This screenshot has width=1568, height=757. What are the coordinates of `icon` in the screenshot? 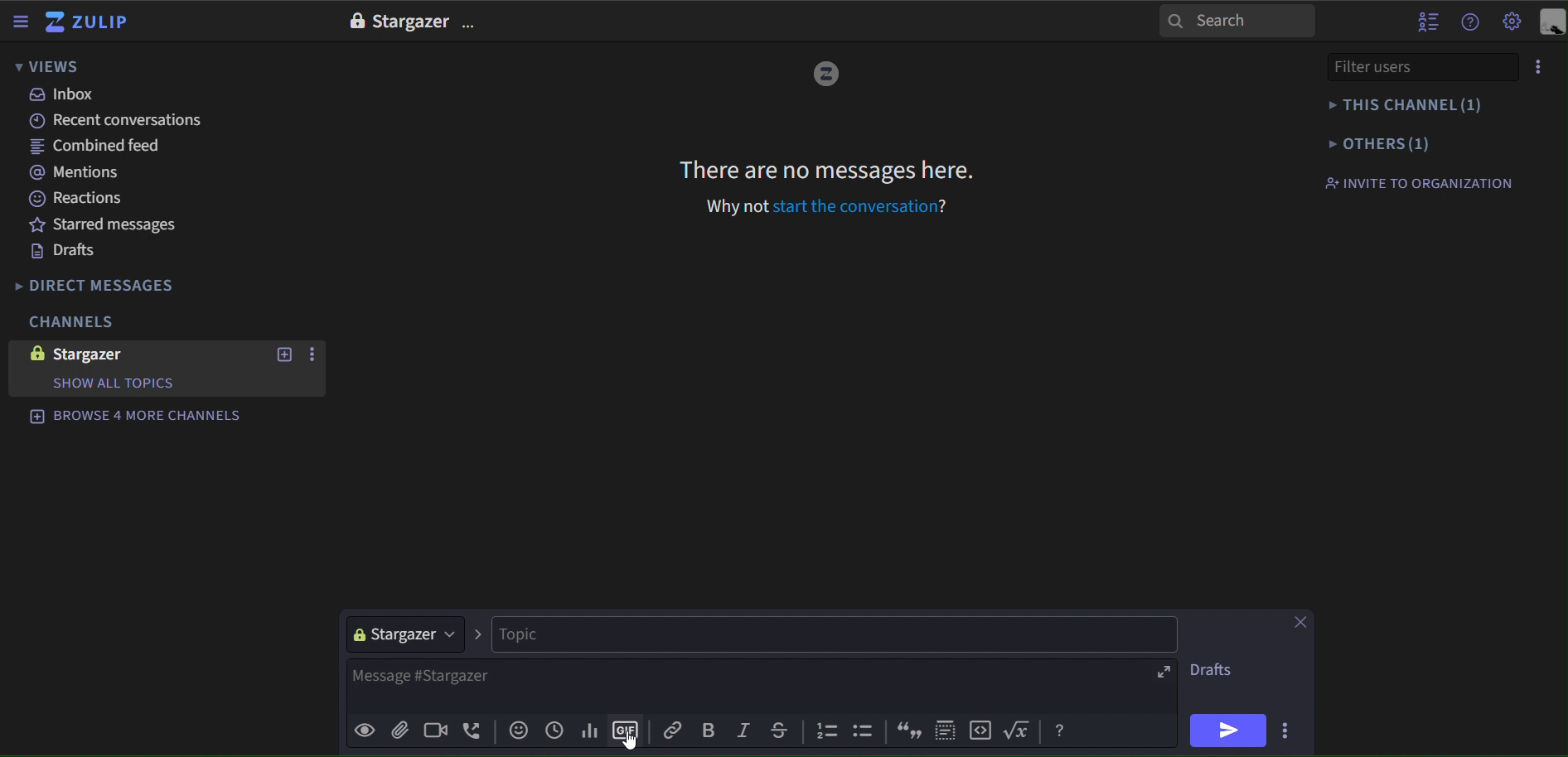 It's located at (907, 730).